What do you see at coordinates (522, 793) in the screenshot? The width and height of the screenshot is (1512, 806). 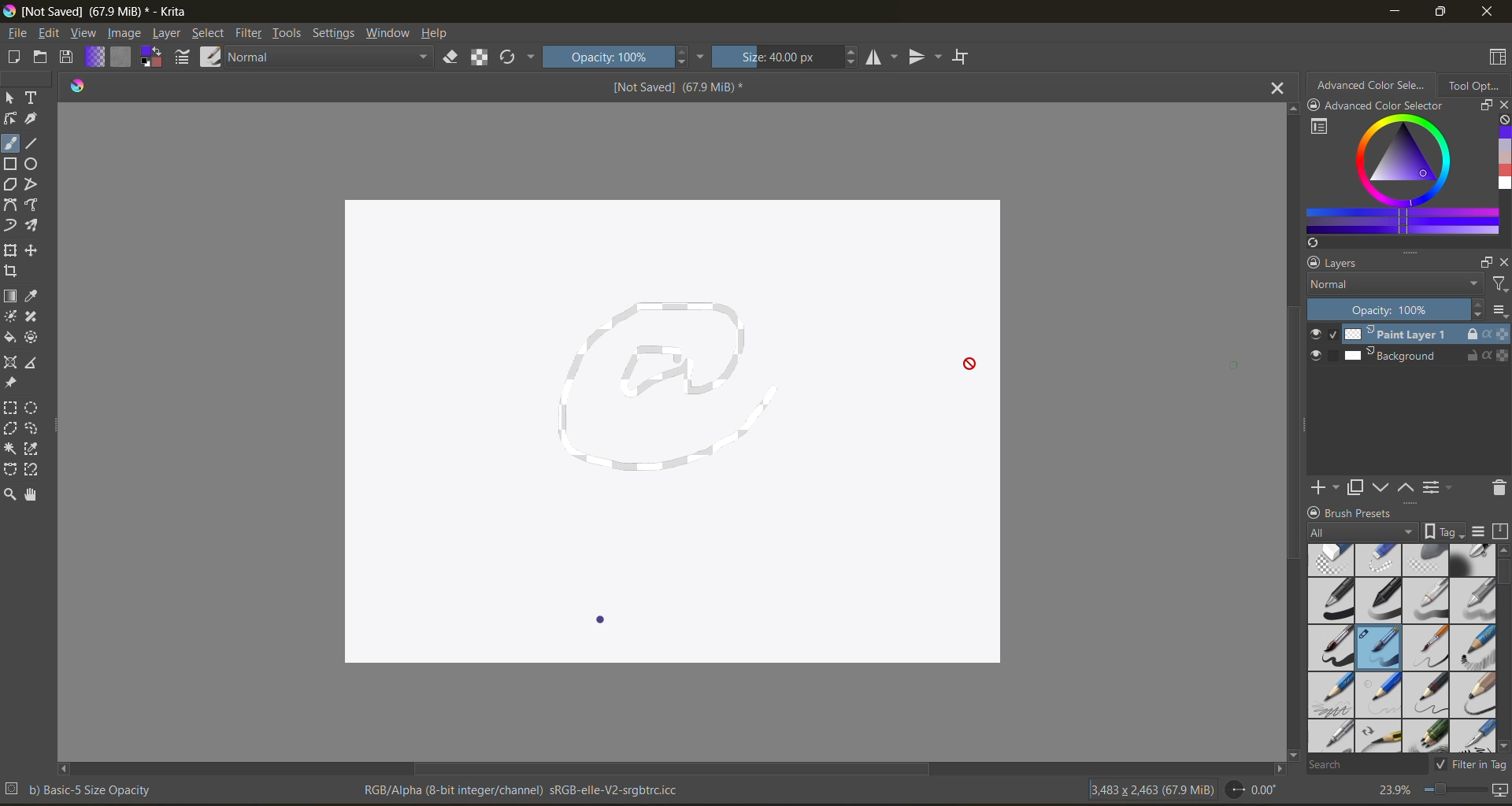 I see `metadata` at bounding box center [522, 793].